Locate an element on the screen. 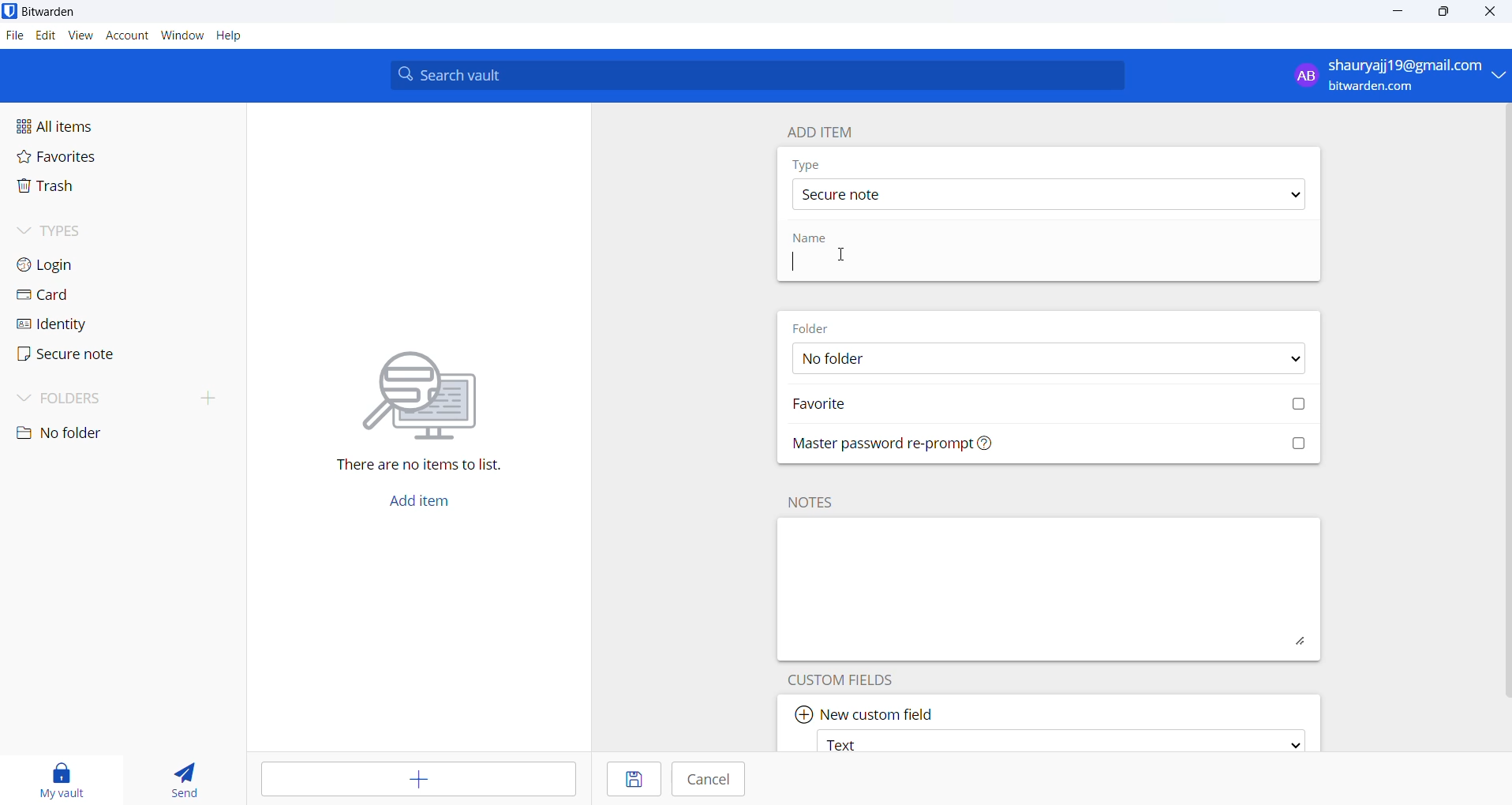 The image size is (1512, 805).  is located at coordinates (815, 329).